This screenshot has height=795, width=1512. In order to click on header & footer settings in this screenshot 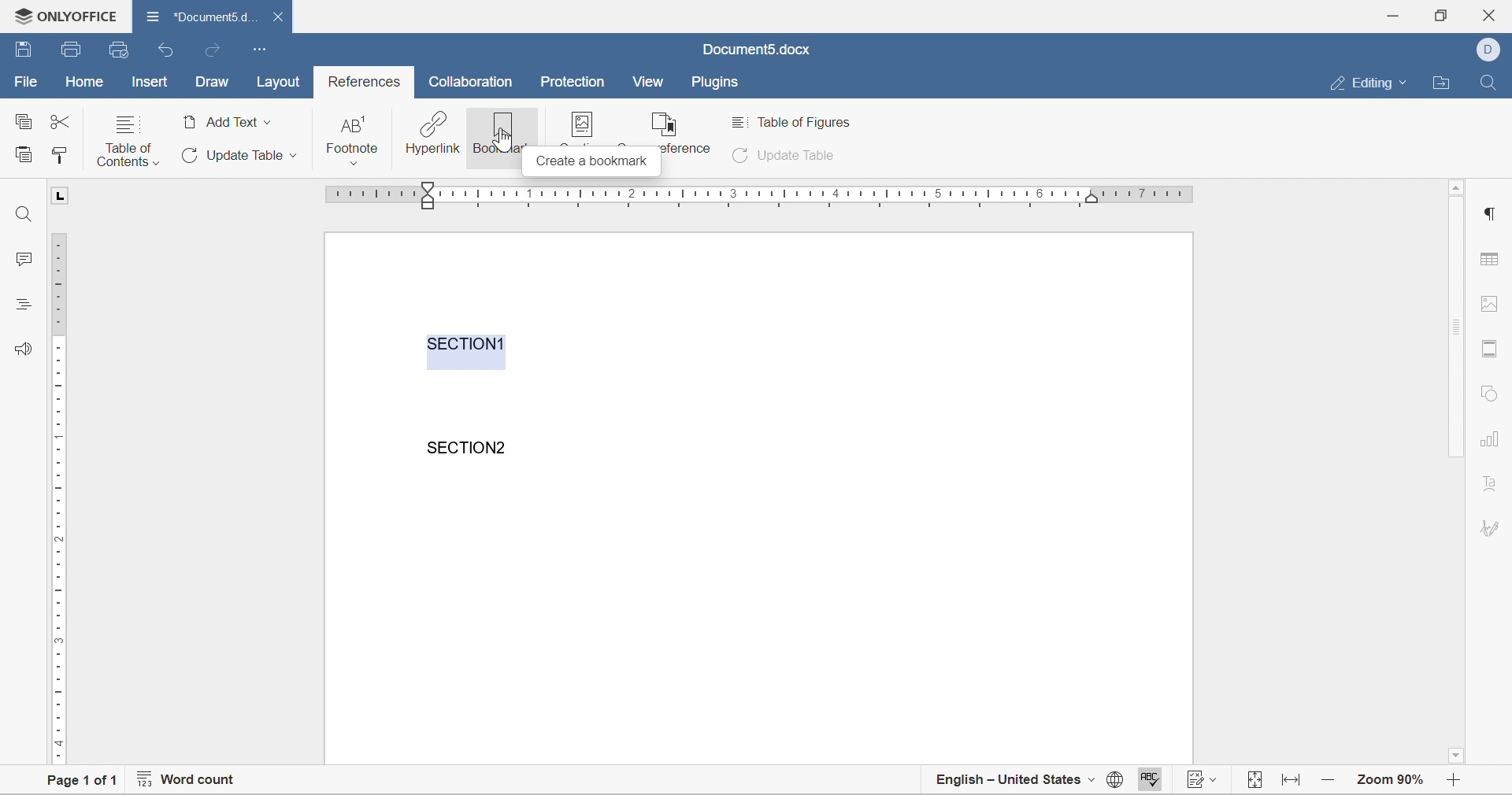, I will do `click(1488, 349)`.